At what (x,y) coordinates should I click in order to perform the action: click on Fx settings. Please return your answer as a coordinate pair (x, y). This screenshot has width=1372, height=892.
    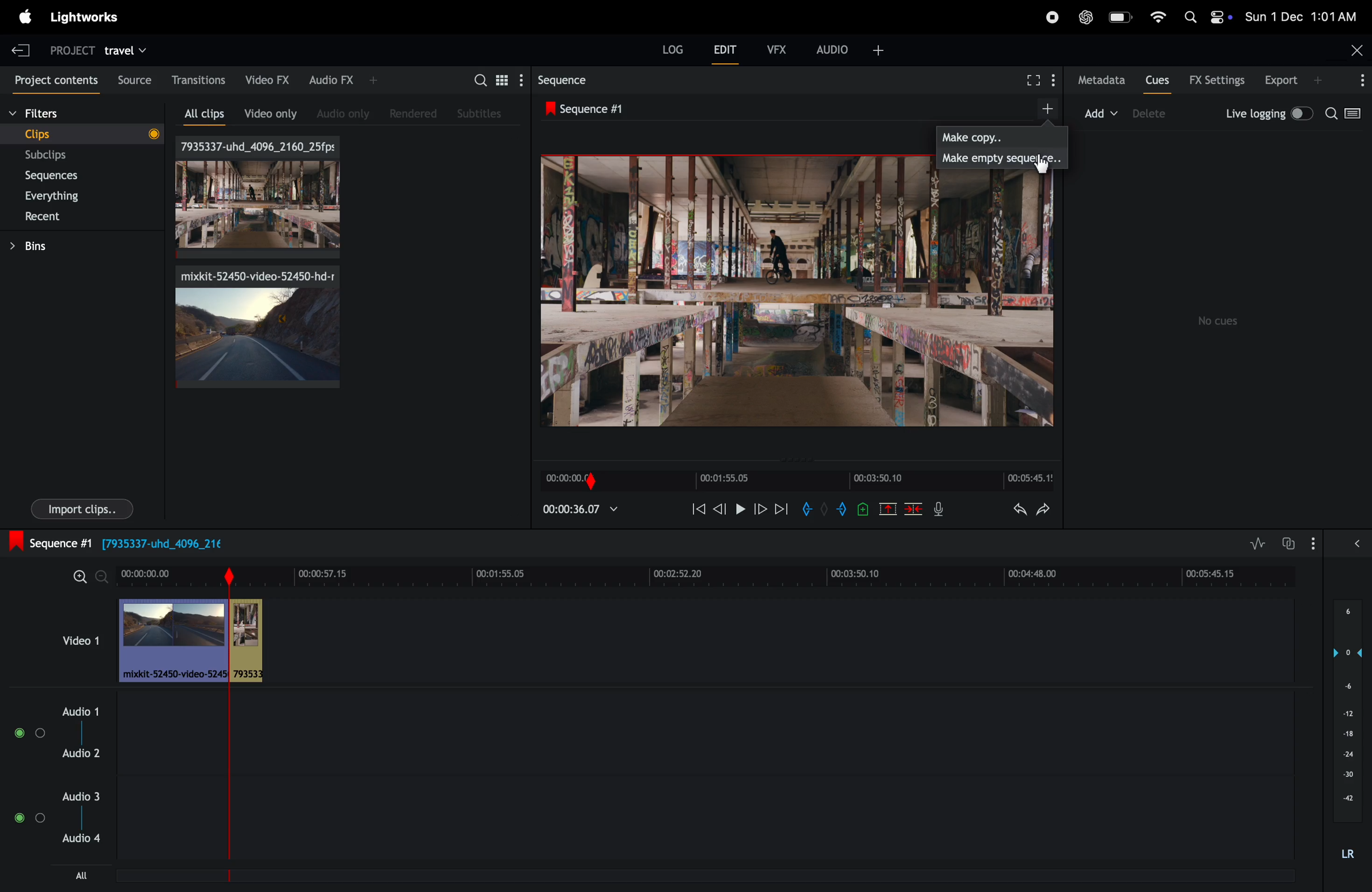
    Looking at the image, I should click on (1216, 80).